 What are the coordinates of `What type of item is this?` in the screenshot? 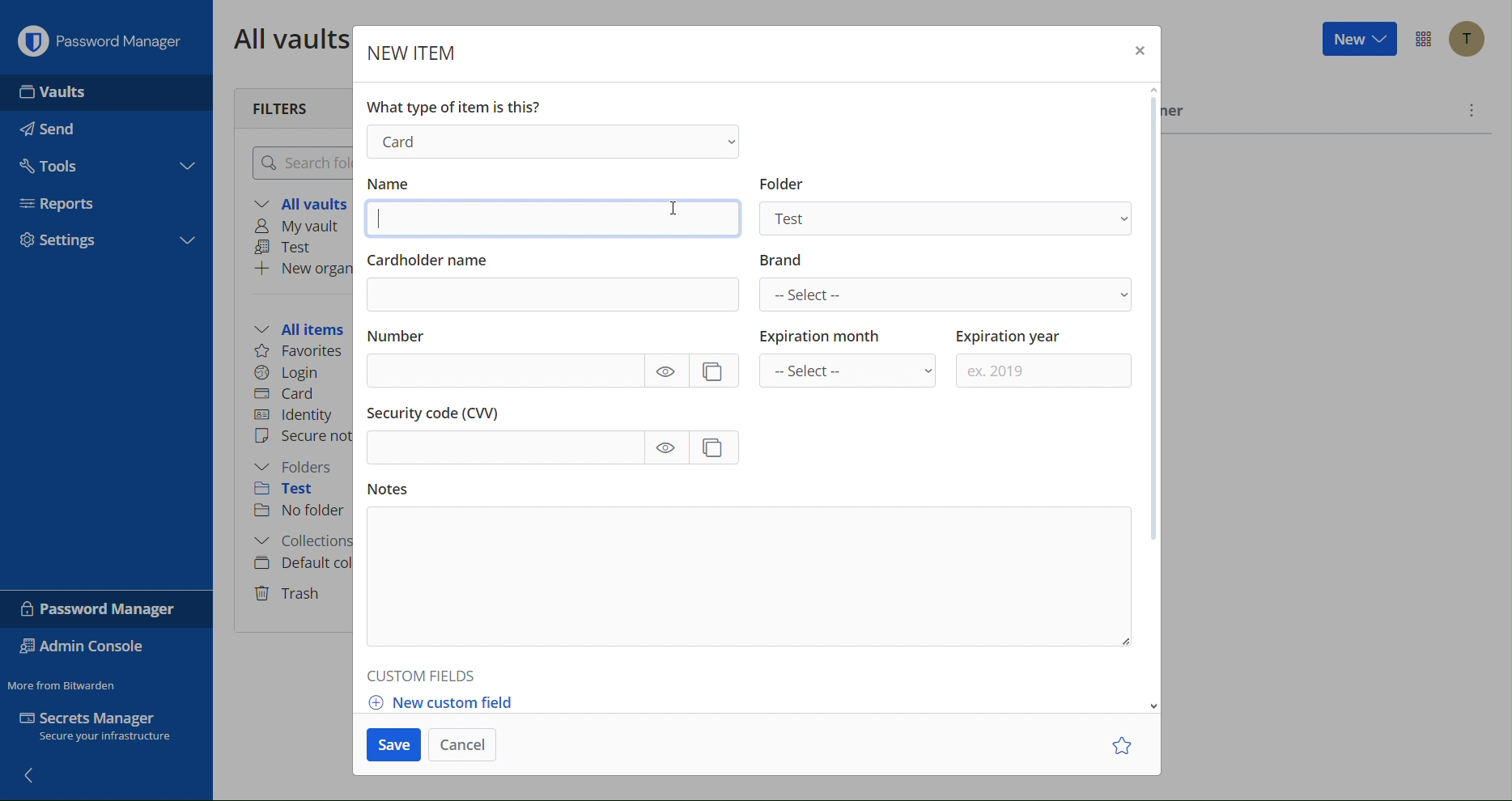 It's located at (465, 103).